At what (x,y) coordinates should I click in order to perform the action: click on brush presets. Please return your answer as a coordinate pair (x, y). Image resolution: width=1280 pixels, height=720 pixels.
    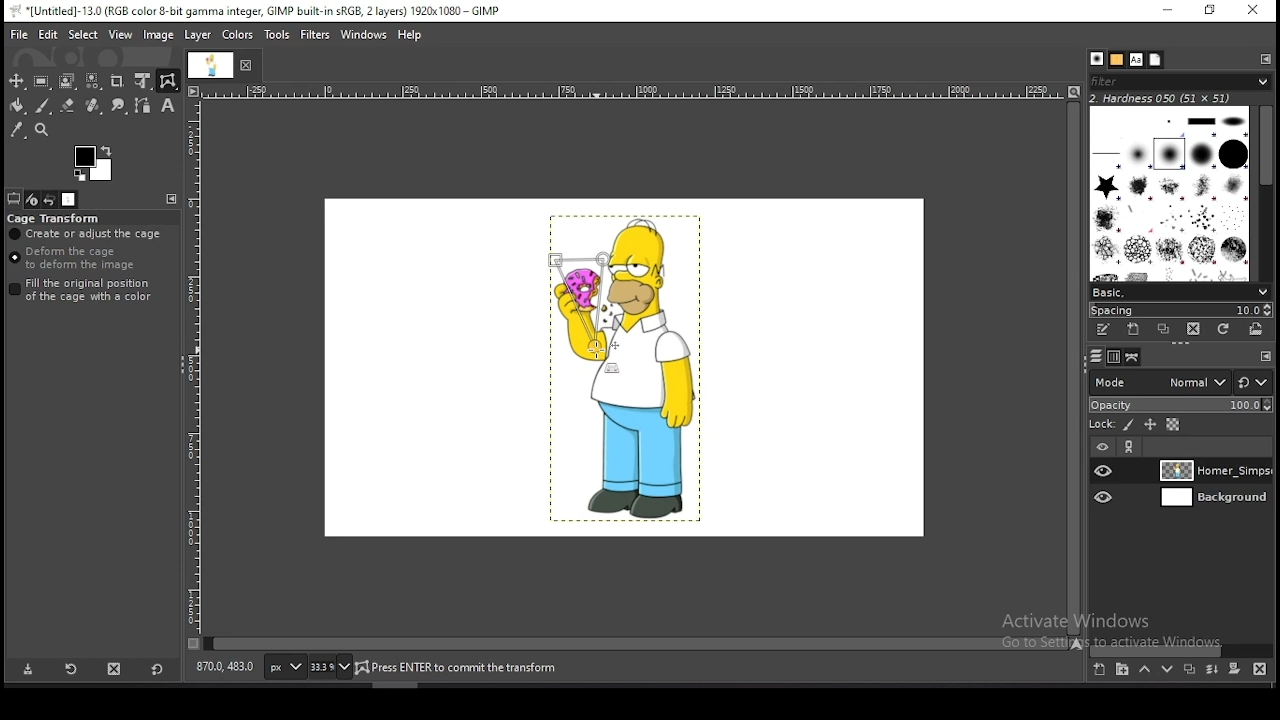
    Looking at the image, I should click on (1181, 290).